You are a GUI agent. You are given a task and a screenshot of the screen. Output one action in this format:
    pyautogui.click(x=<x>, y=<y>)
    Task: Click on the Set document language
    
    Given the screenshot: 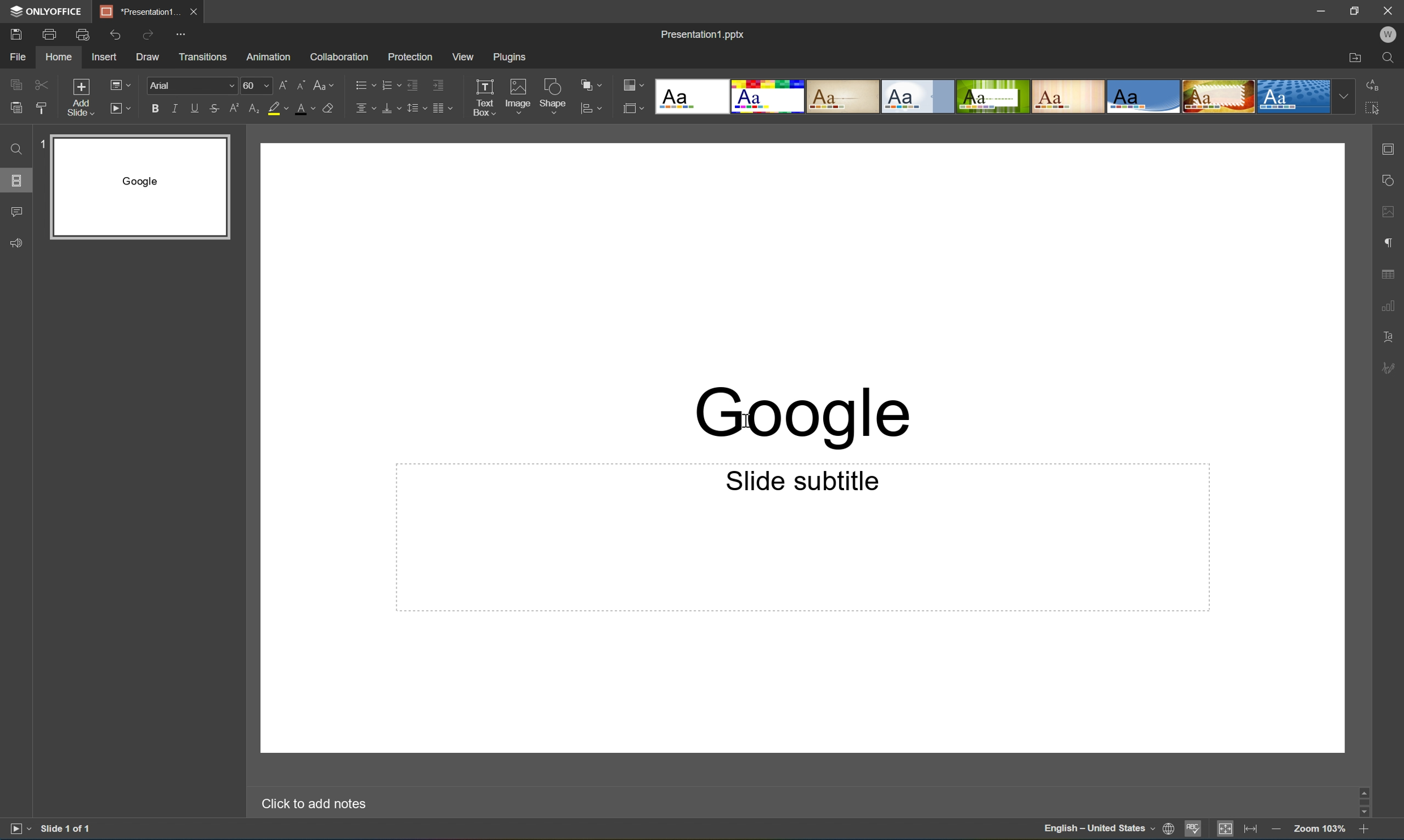 What is the action you would take?
    pyautogui.click(x=1169, y=829)
    